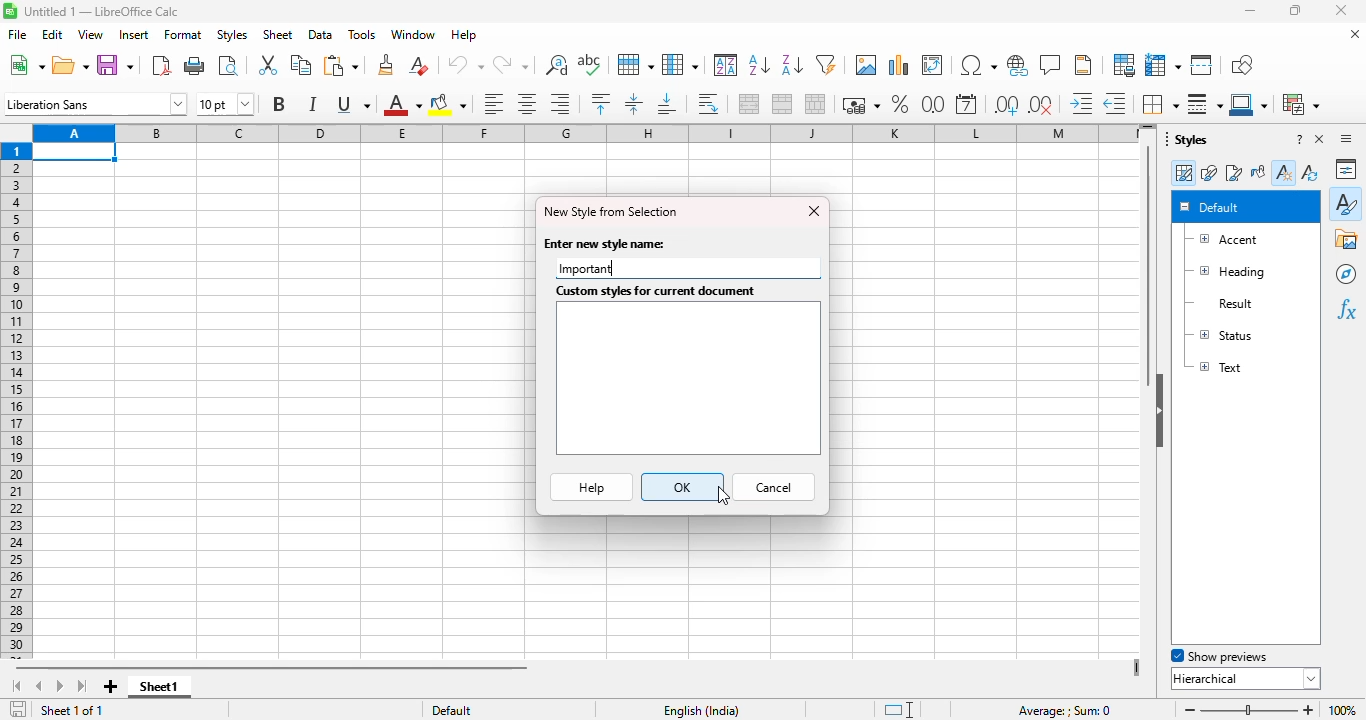 The width and height of the screenshot is (1366, 720). I want to click on borders, so click(1159, 103).